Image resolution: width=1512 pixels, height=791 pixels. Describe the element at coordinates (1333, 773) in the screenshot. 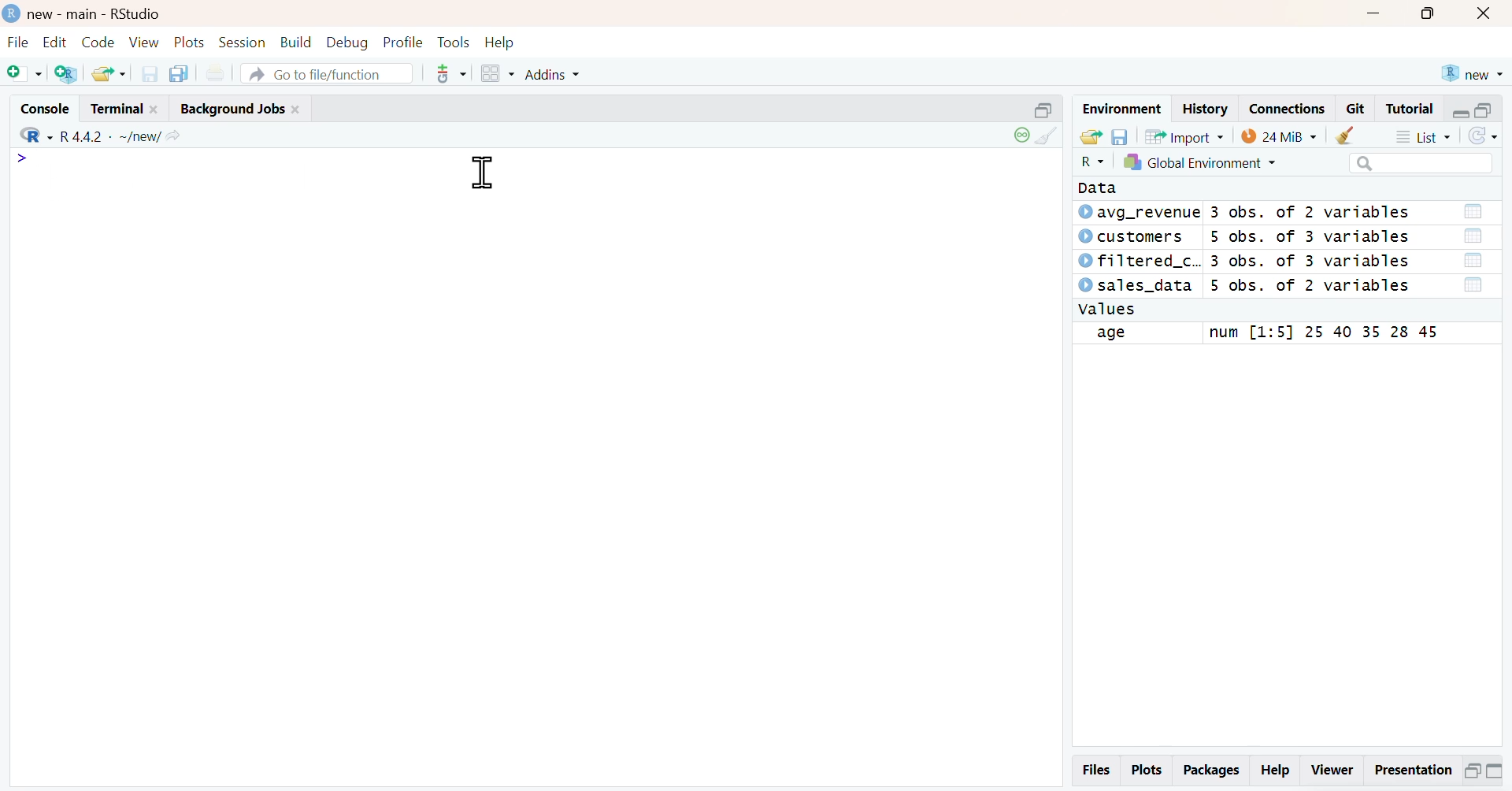

I see `Viewer` at that location.